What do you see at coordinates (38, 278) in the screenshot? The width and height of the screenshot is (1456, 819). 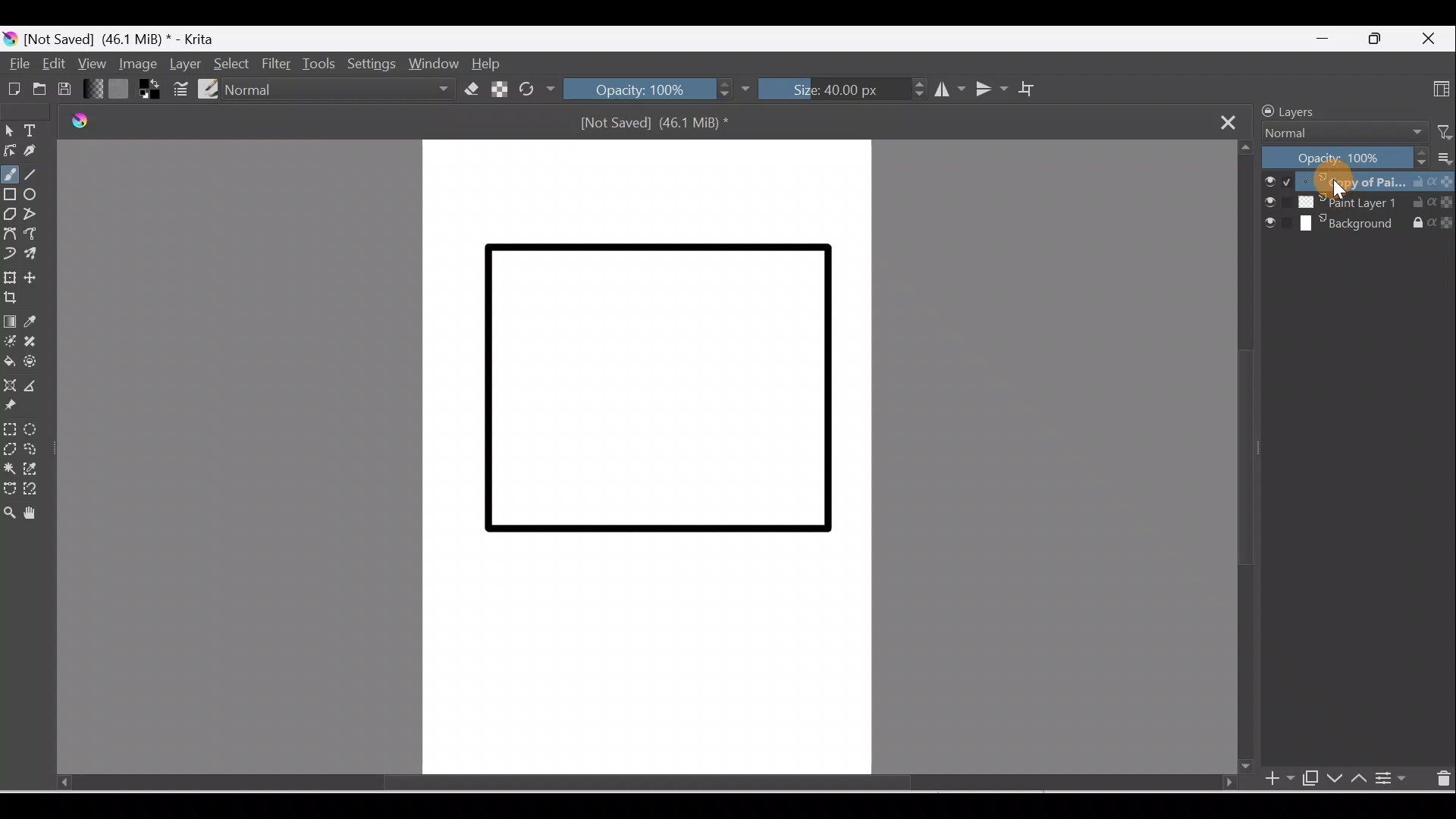 I see `Move a layer` at bounding box center [38, 278].